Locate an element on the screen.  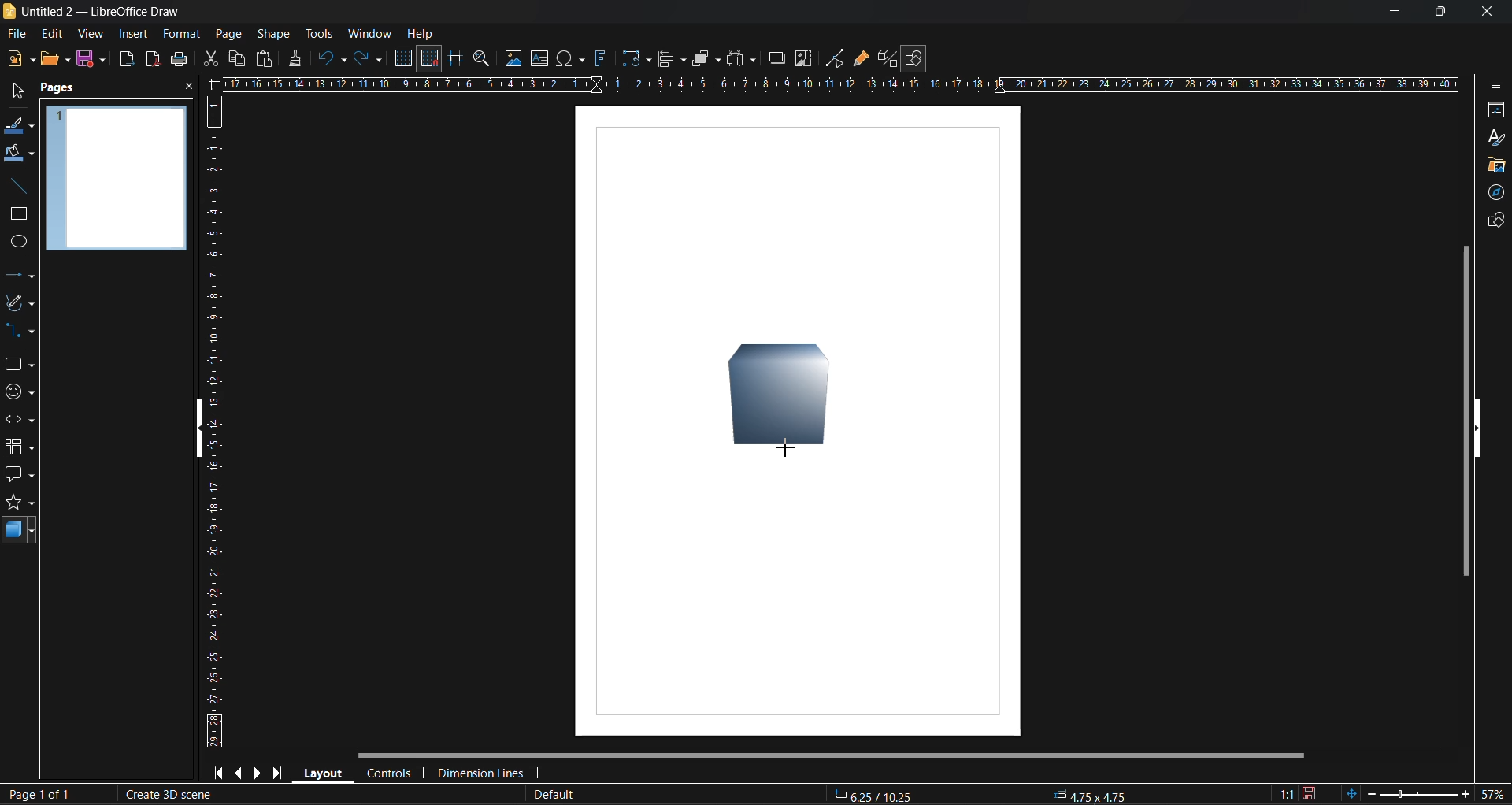
open is located at coordinates (54, 58).